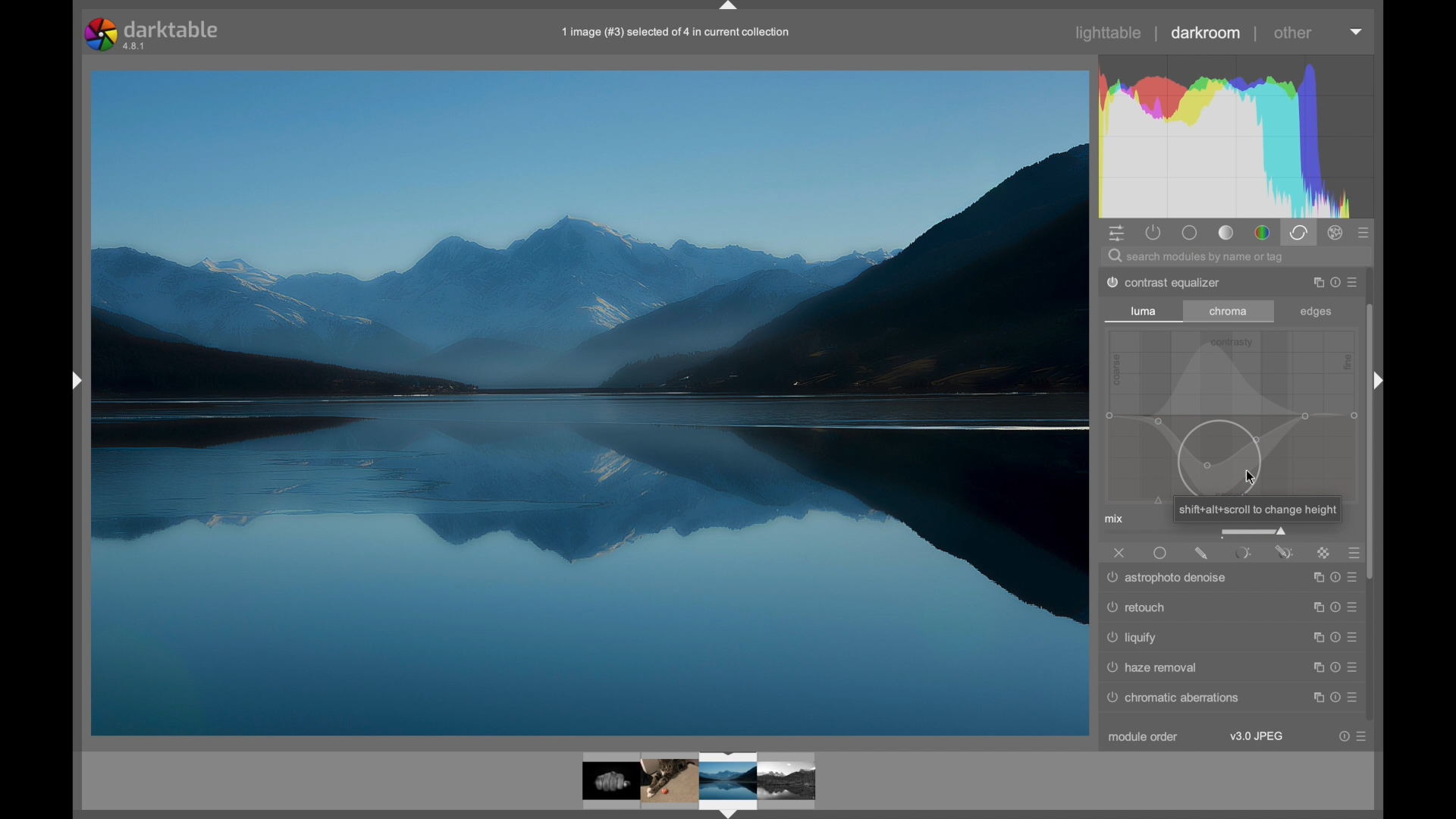 This screenshot has width=1456, height=819. What do you see at coordinates (1109, 33) in the screenshot?
I see `lighttable` at bounding box center [1109, 33].